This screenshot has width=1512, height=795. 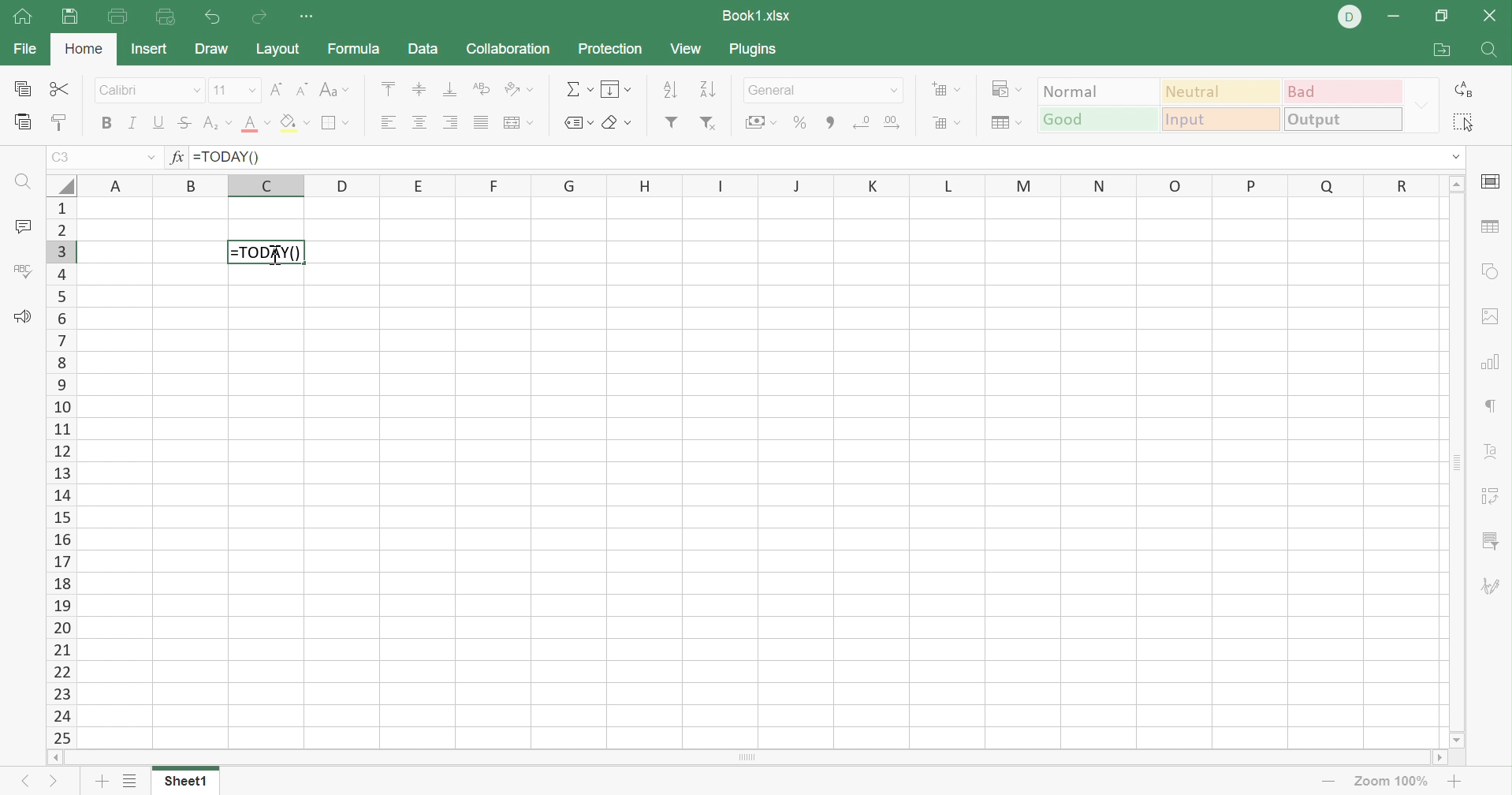 What do you see at coordinates (274, 90) in the screenshot?
I see `Increment font size` at bounding box center [274, 90].